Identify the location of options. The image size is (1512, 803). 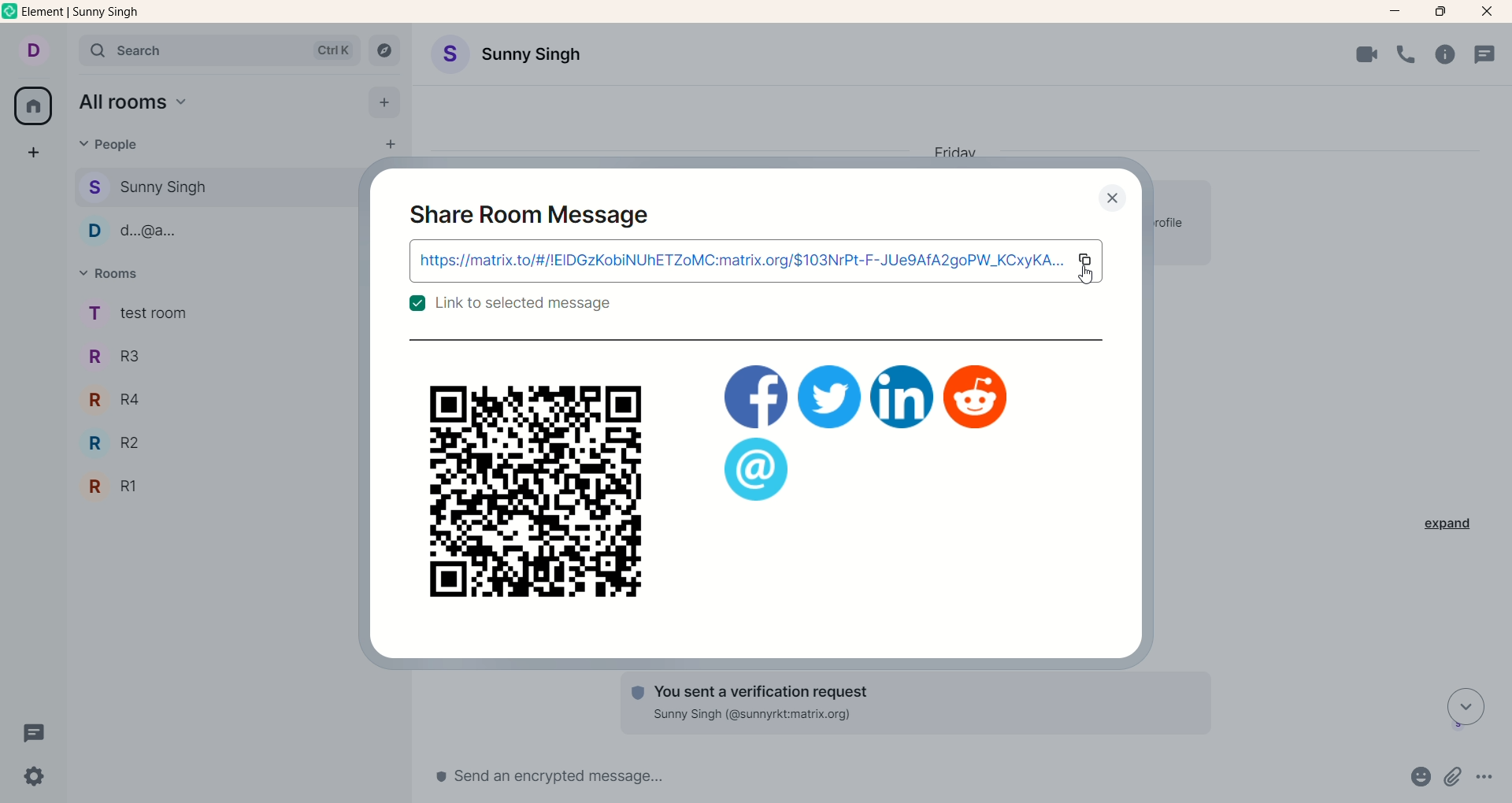
(1487, 777).